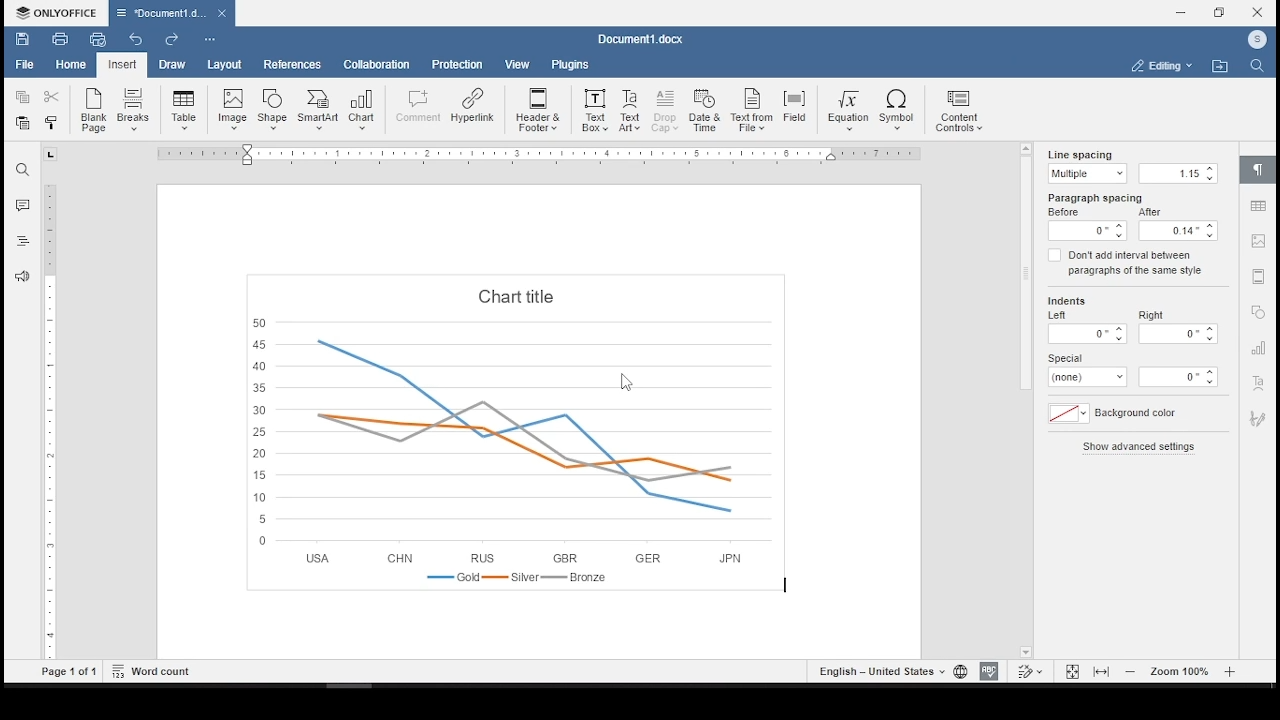 The width and height of the screenshot is (1280, 720). I want to click on collaboration, so click(379, 66).